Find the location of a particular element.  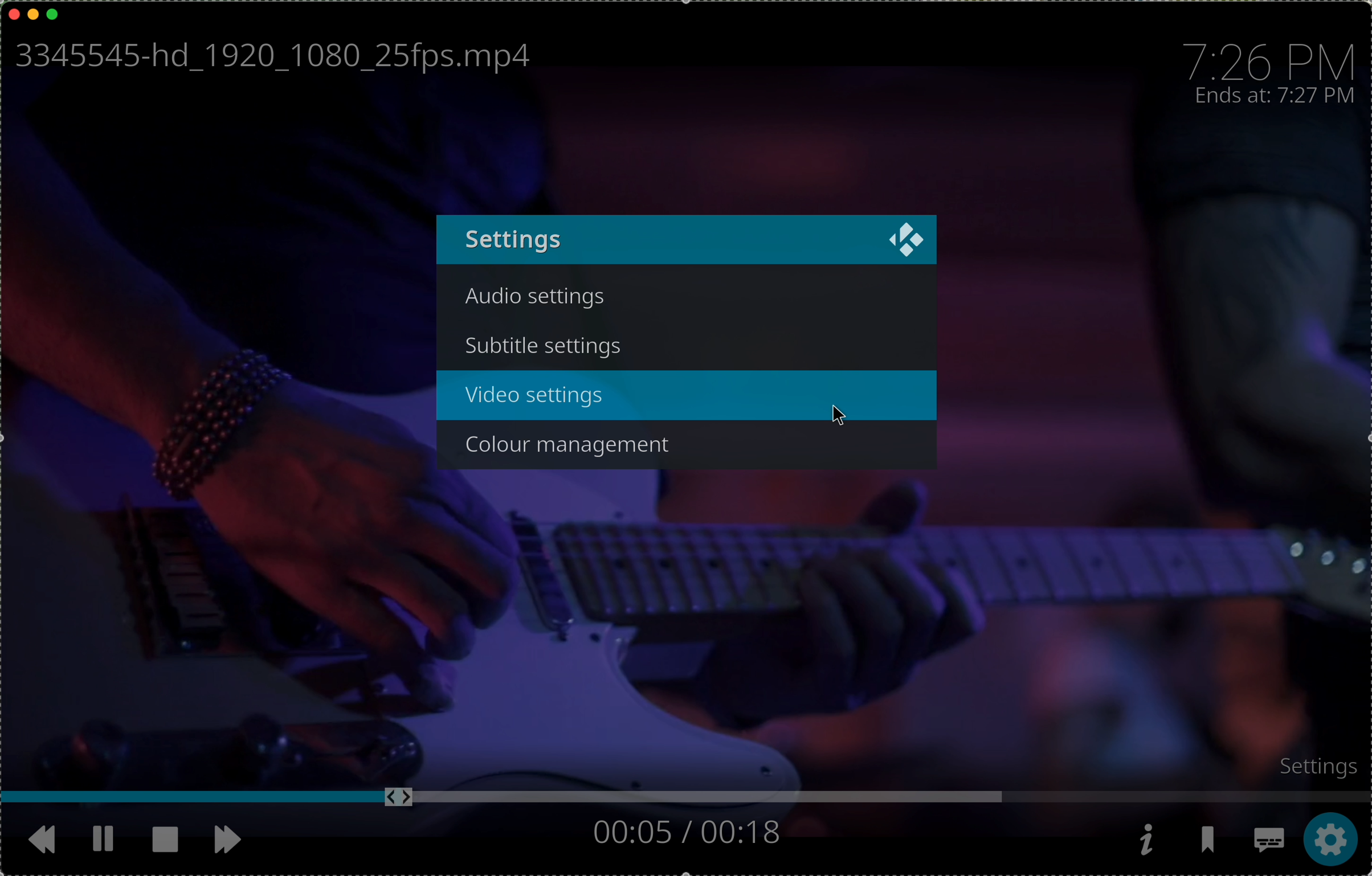

settings is located at coordinates (1309, 764).